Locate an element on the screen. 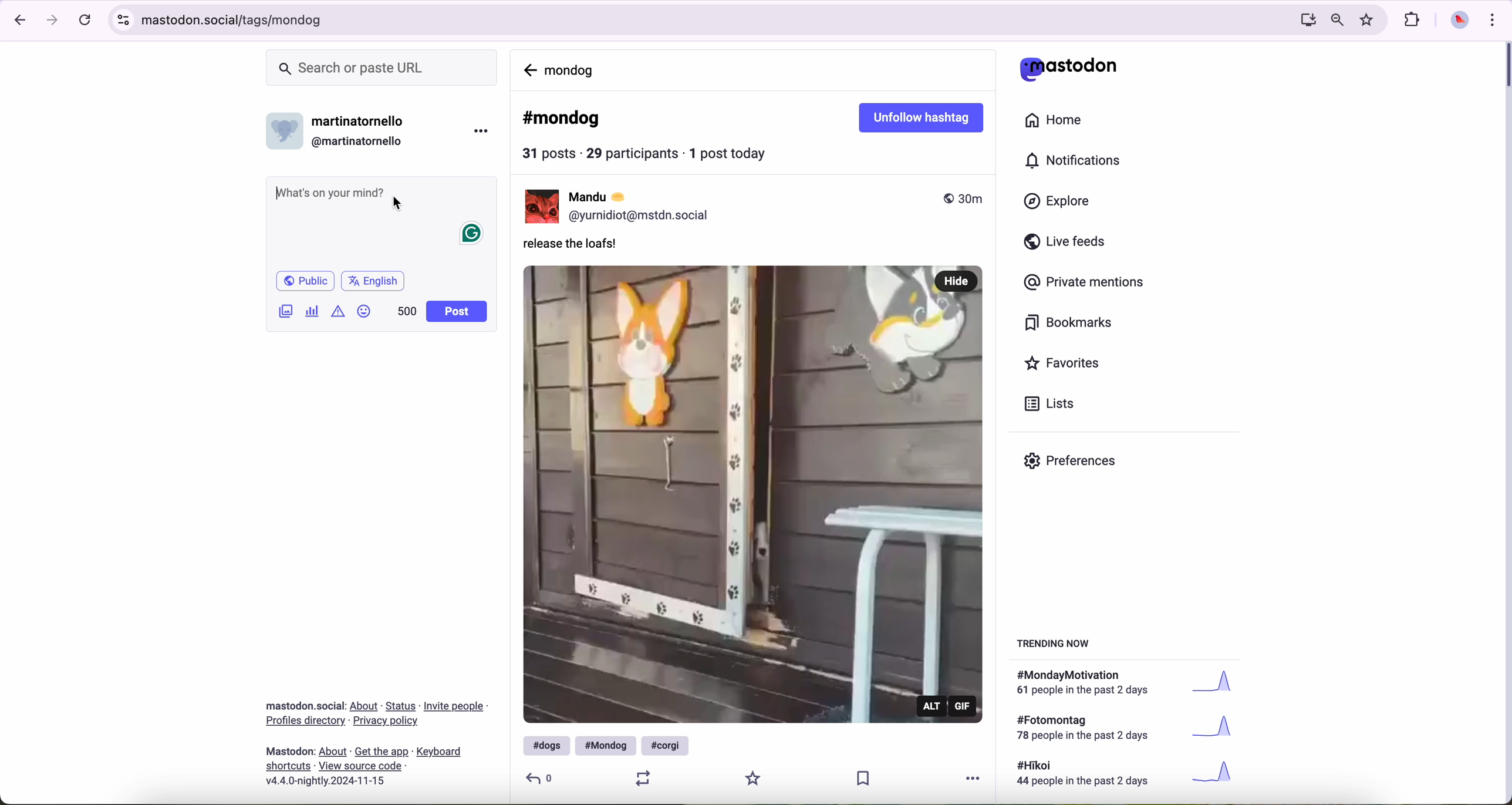 Image resolution: width=1512 pixels, height=805 pixels. #mondog is located at coordinates (606, 746).